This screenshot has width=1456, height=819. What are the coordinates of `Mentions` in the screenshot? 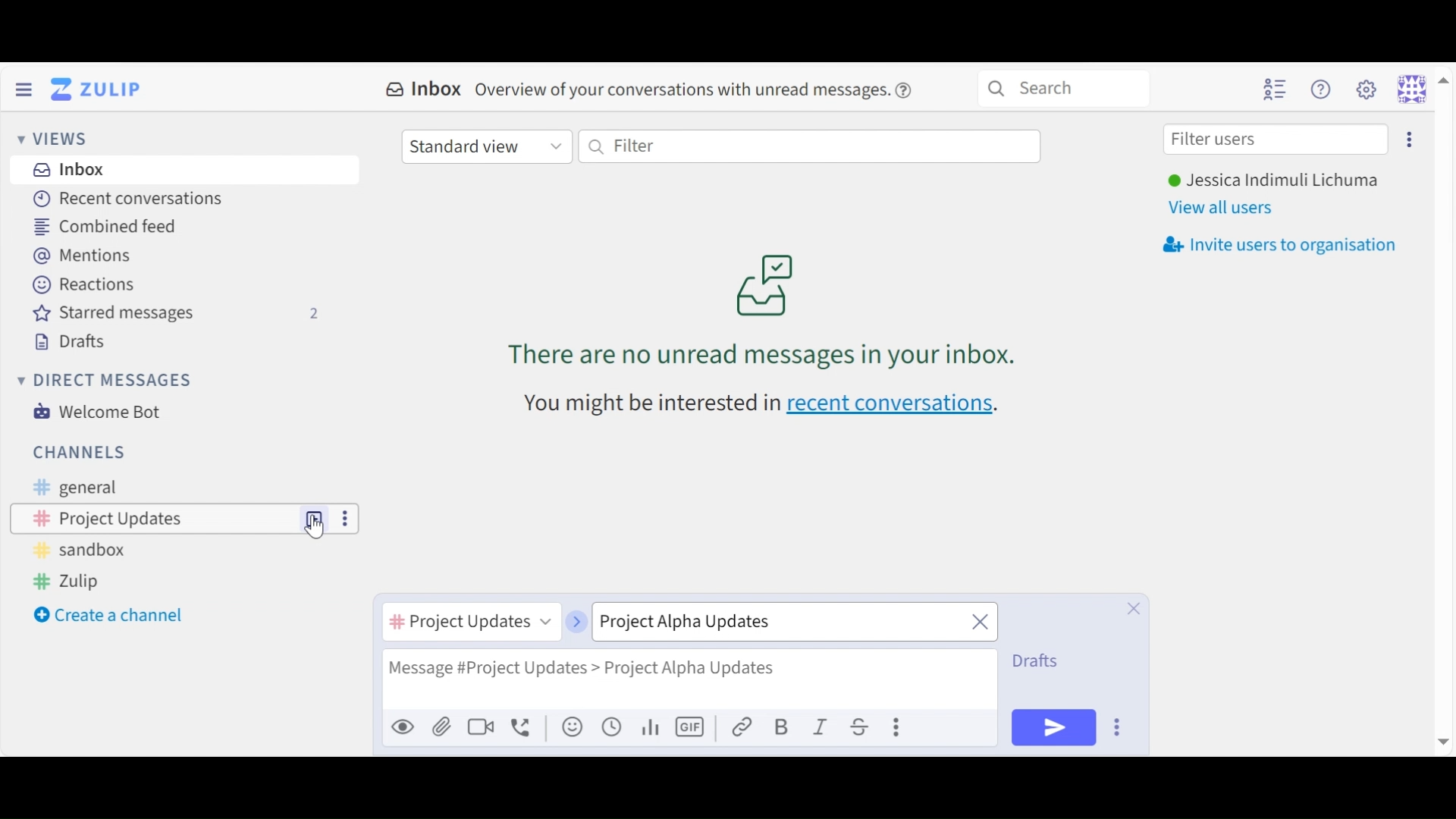 It's located at (83, 255).